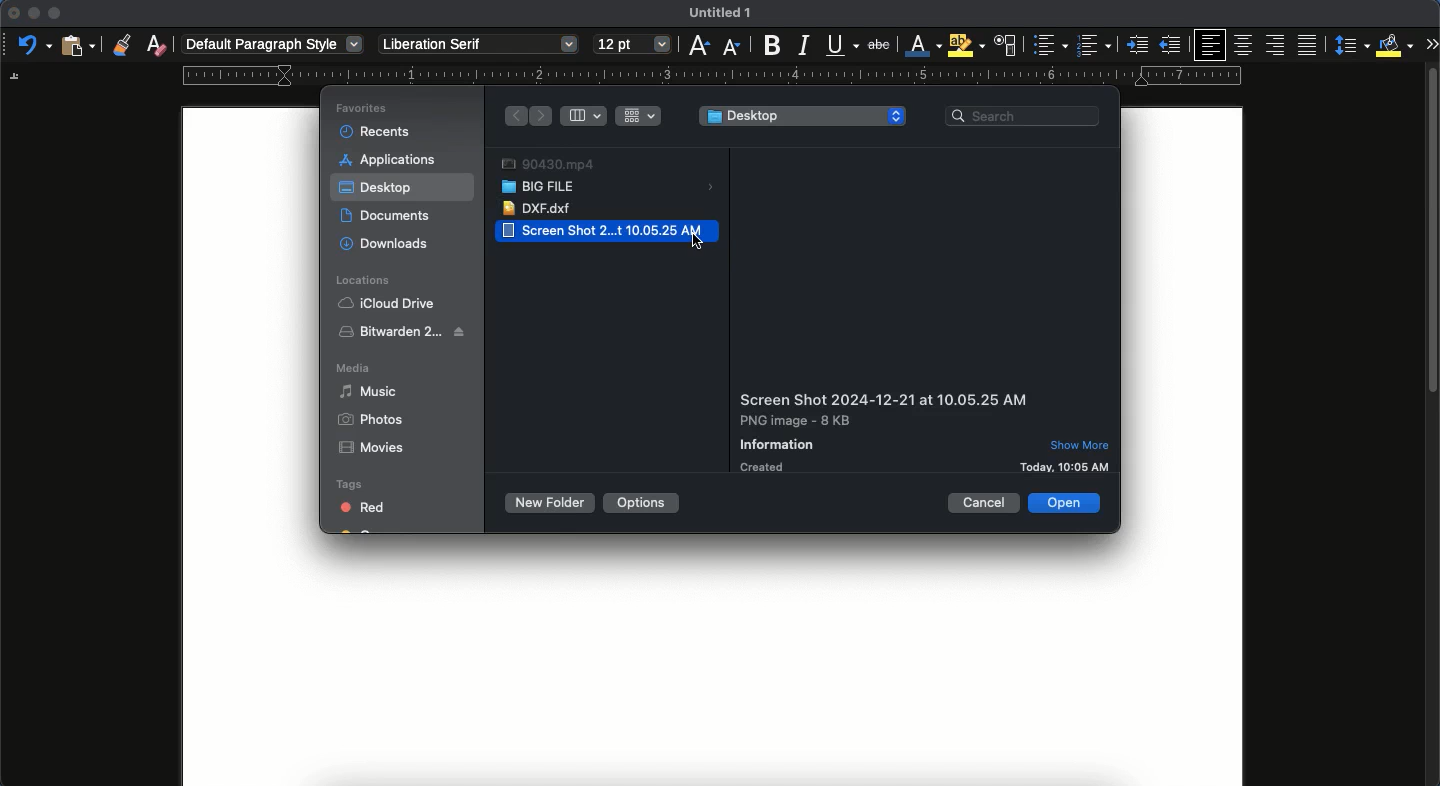 The image size is (1440, 786). I want to click on open, so click(1067, 503).